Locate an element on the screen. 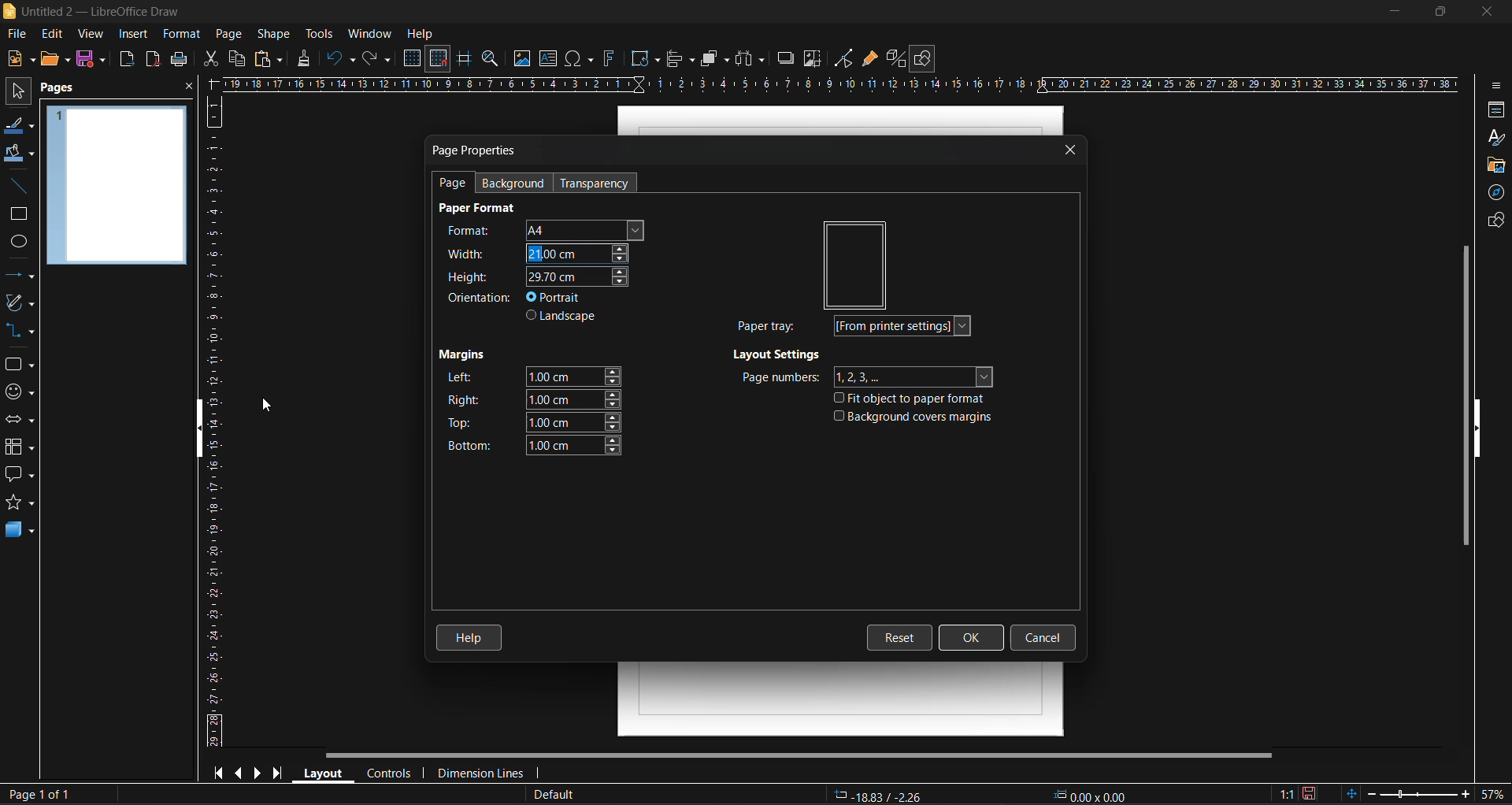  paste is located at coordinates (267, 60).